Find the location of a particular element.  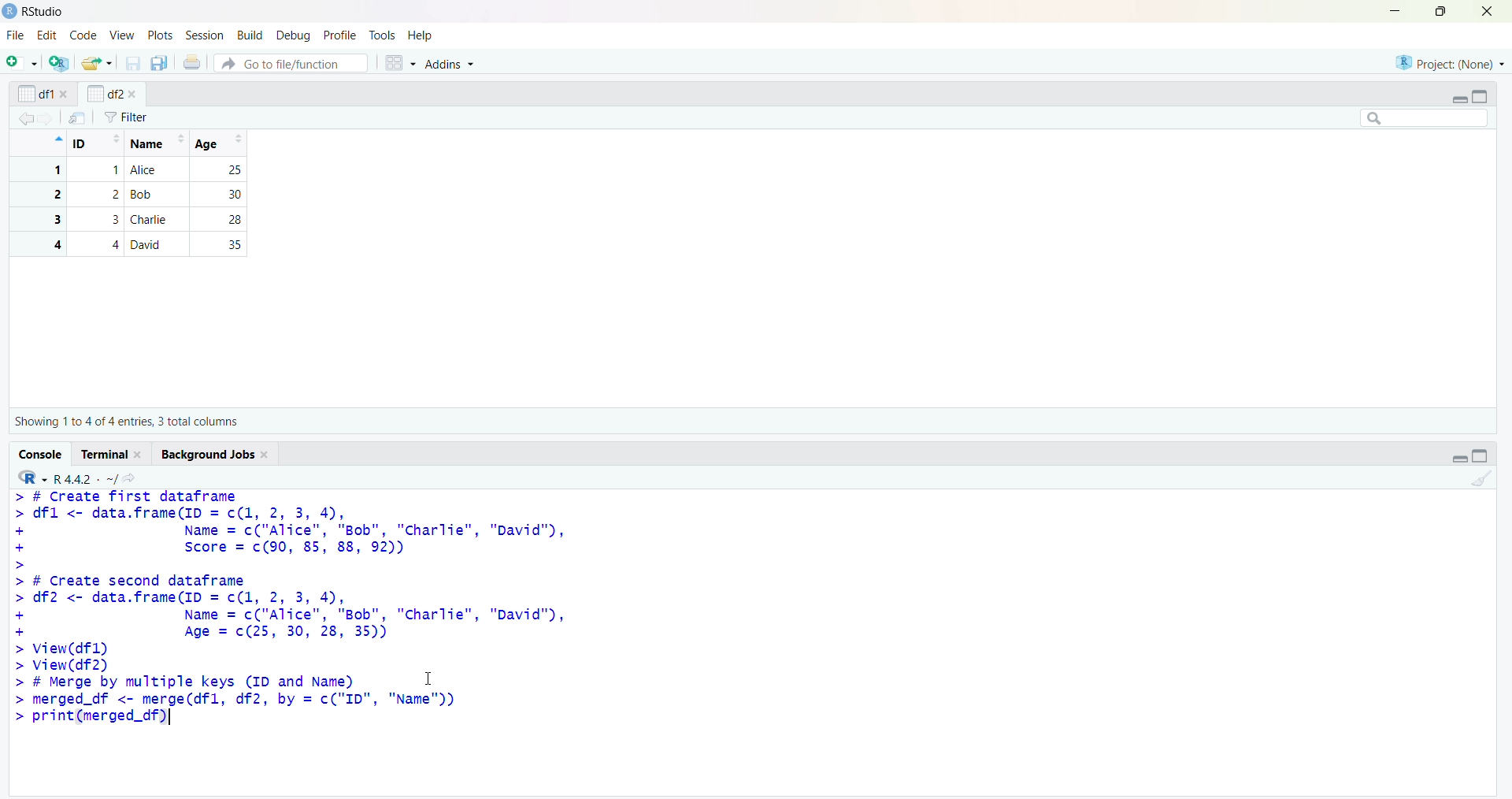

maximize is located at coordinates (1443, 11).